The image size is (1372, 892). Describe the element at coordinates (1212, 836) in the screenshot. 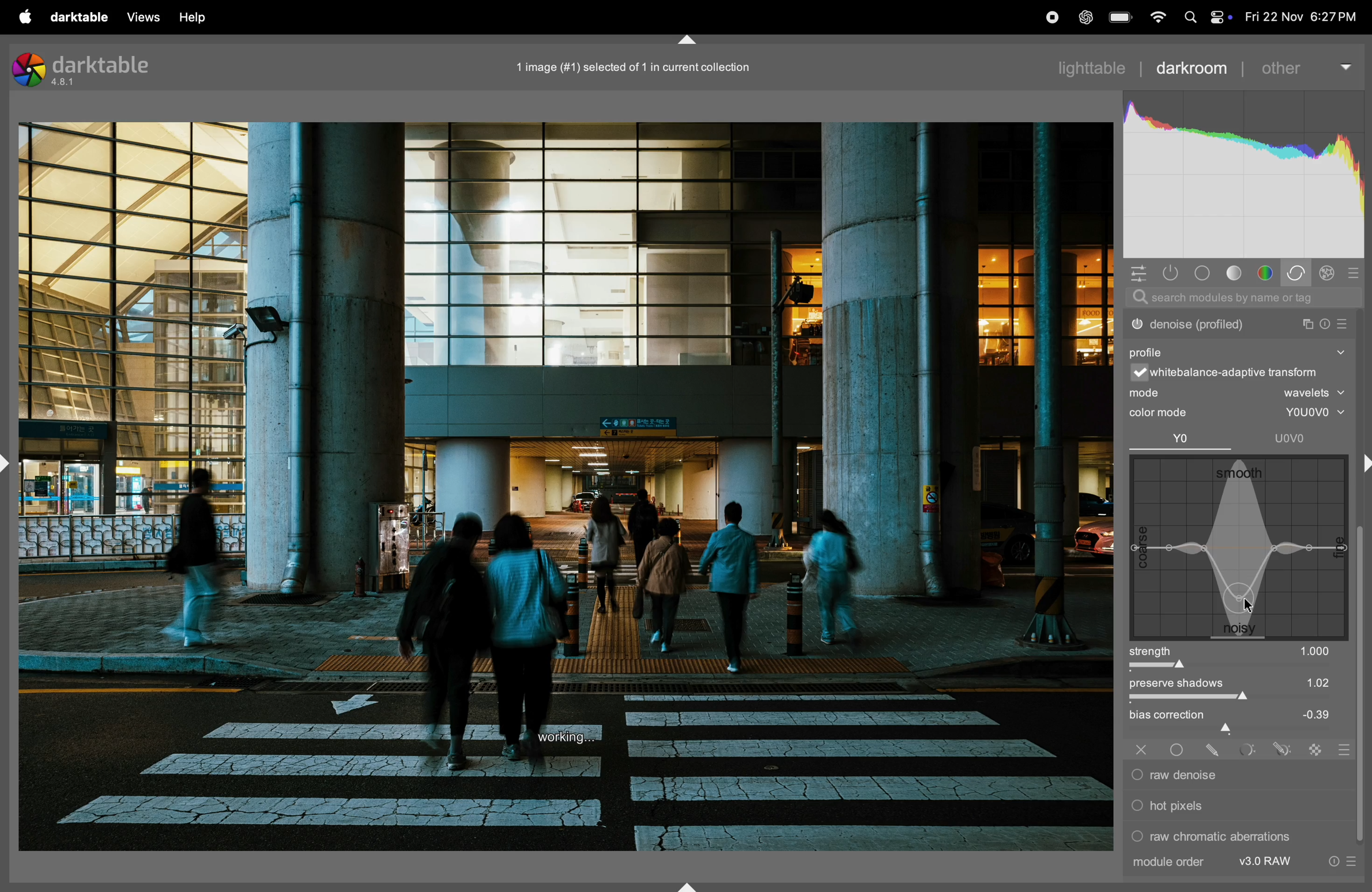

I see `raw chromatic aberrations` at that location.